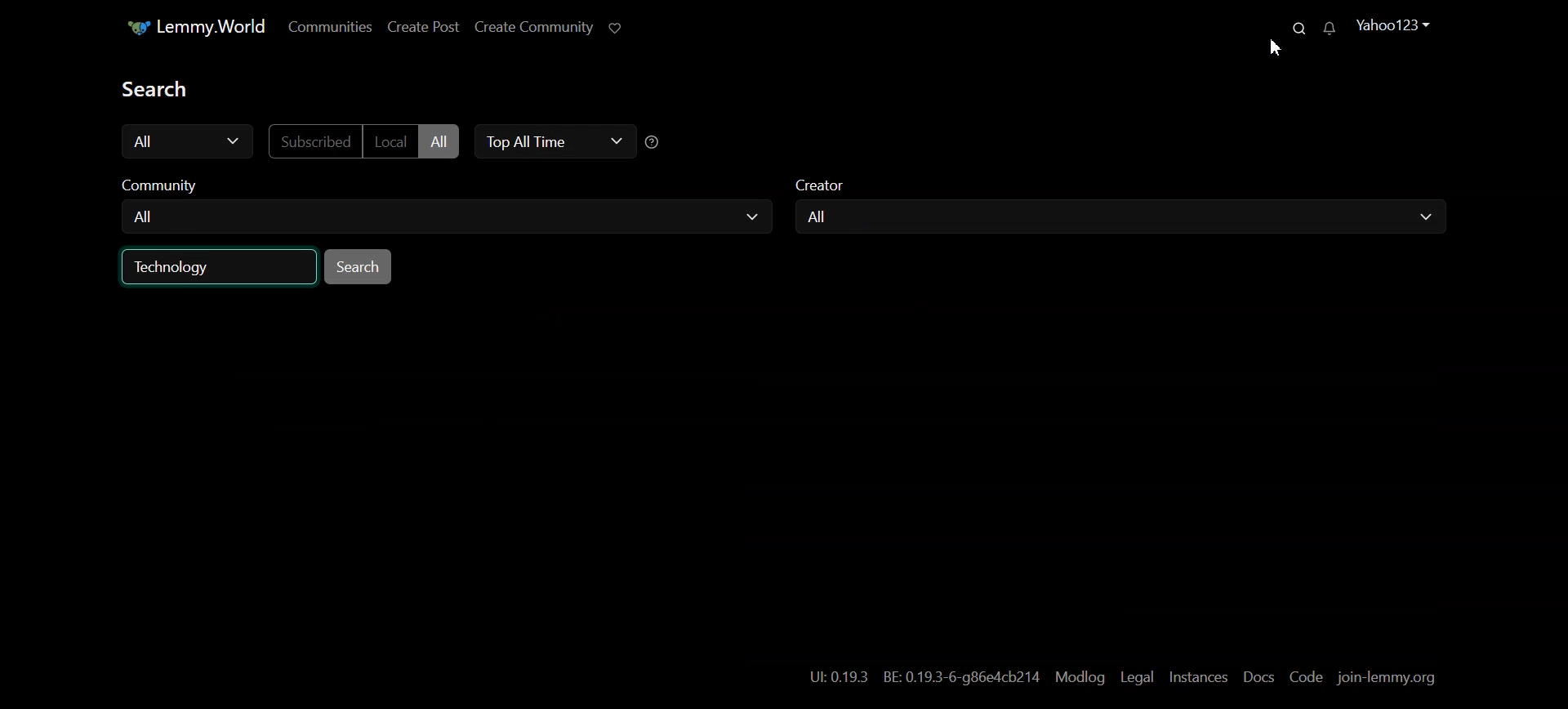 The image size is (1568, 709). What do you see at coordinates (1113, 218) in the screenshot?
I see `All` at bounding box center [1113, 218].